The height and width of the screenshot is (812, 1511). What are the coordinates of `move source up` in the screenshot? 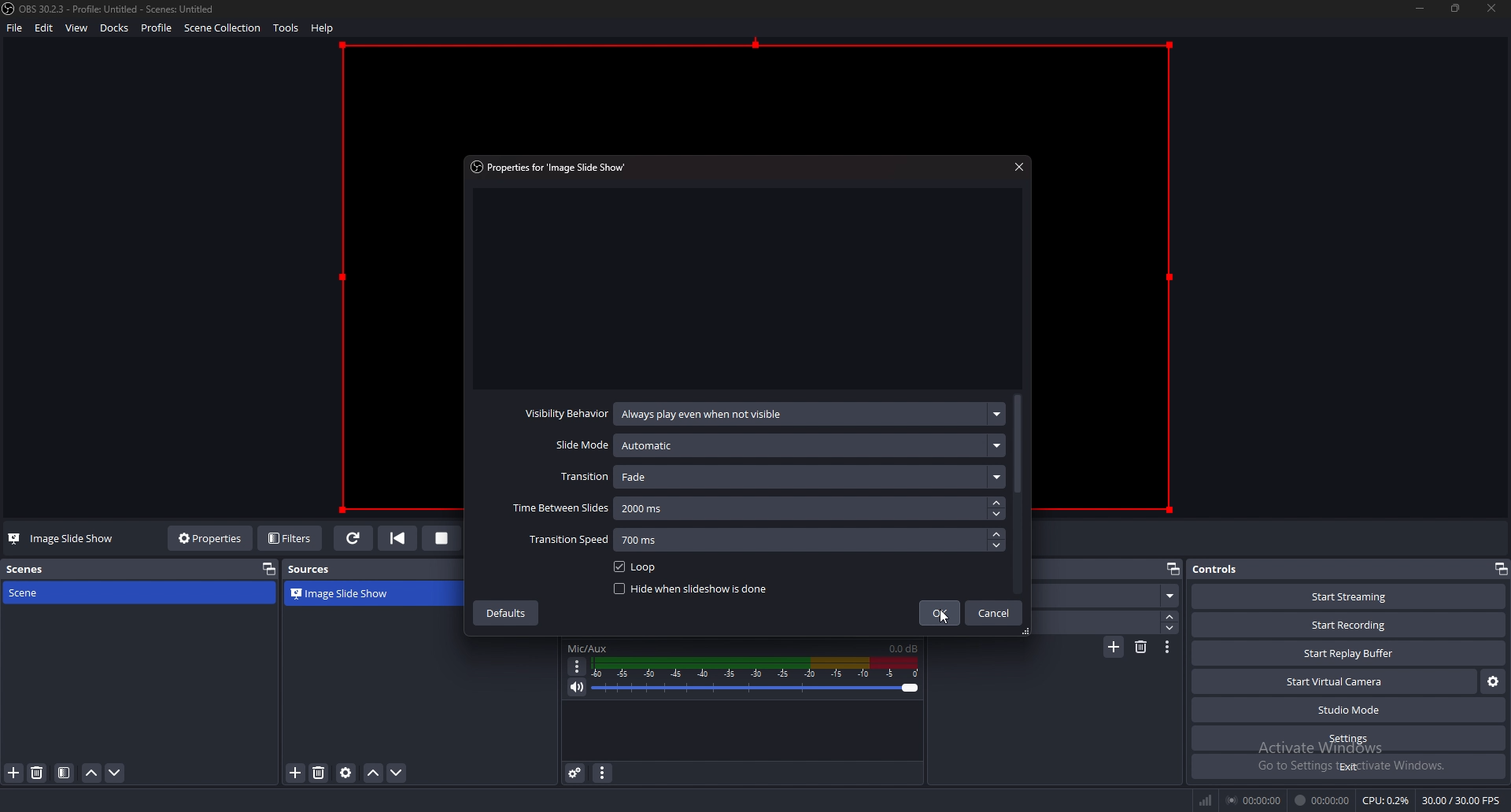 It's located at (374, 772).